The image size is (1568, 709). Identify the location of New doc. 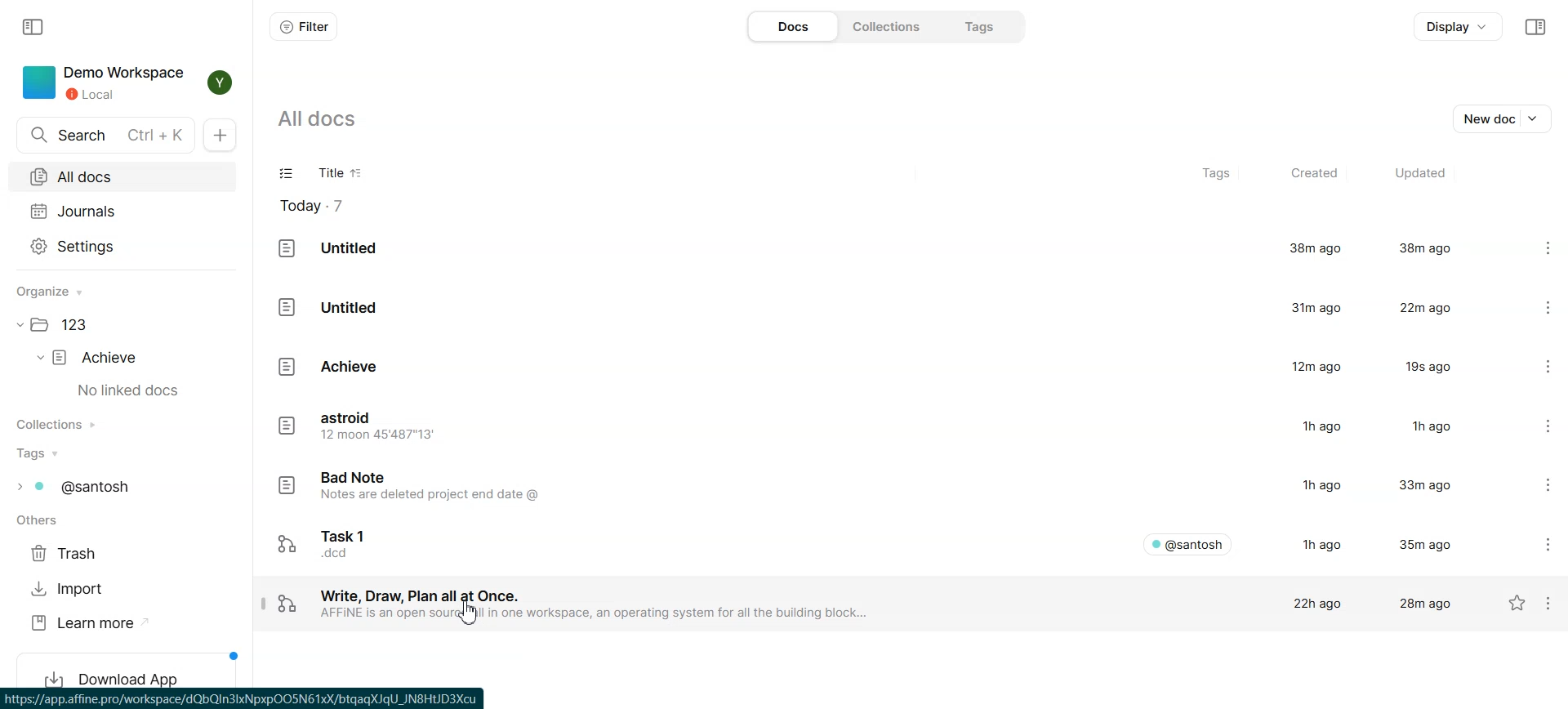
(1505, 117).